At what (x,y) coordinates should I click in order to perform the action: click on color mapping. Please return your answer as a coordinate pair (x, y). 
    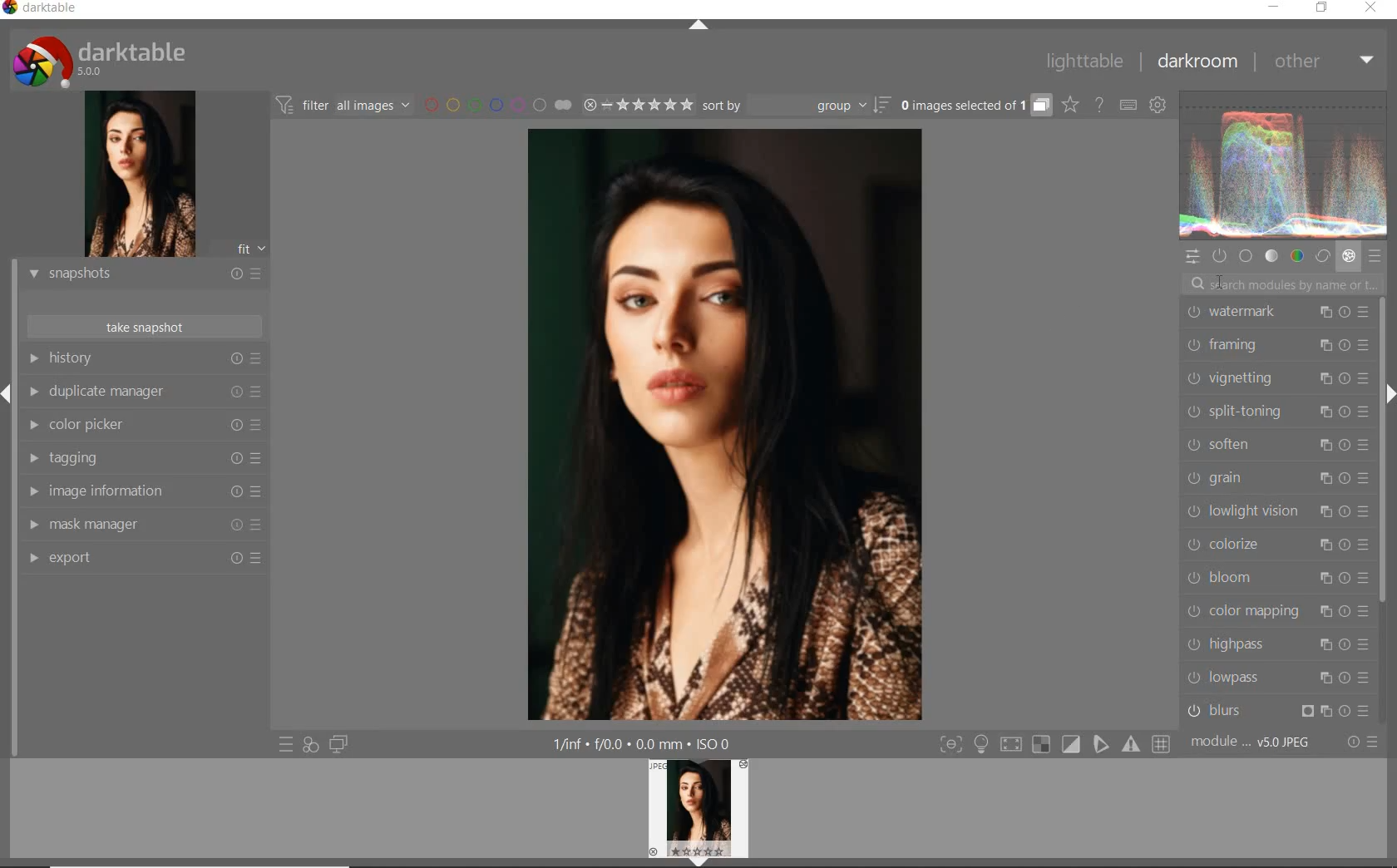
    Looking at the image, I should click on (1276, 611).